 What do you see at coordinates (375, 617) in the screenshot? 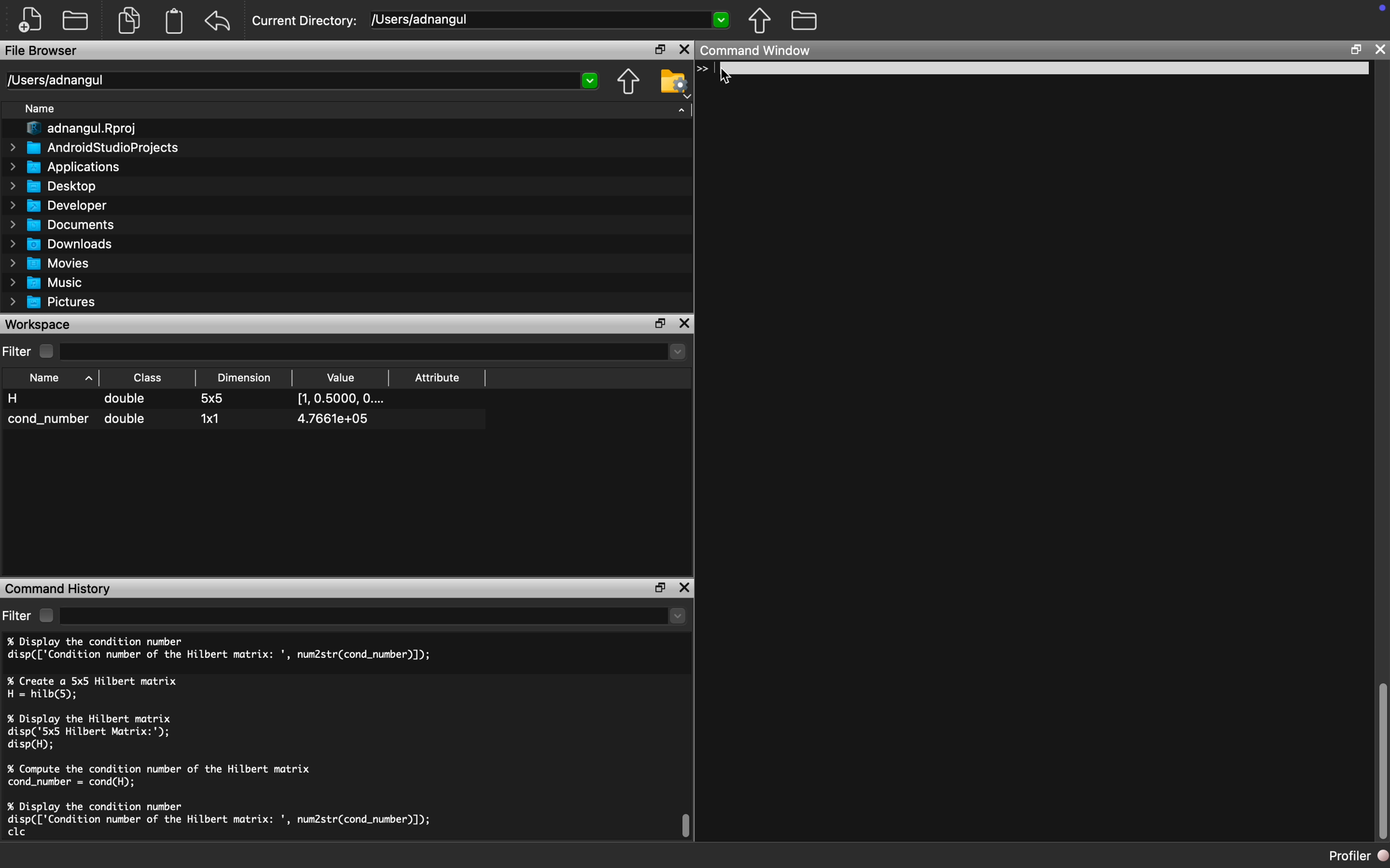
I see `dropdown` at bounding box center [375, 617].